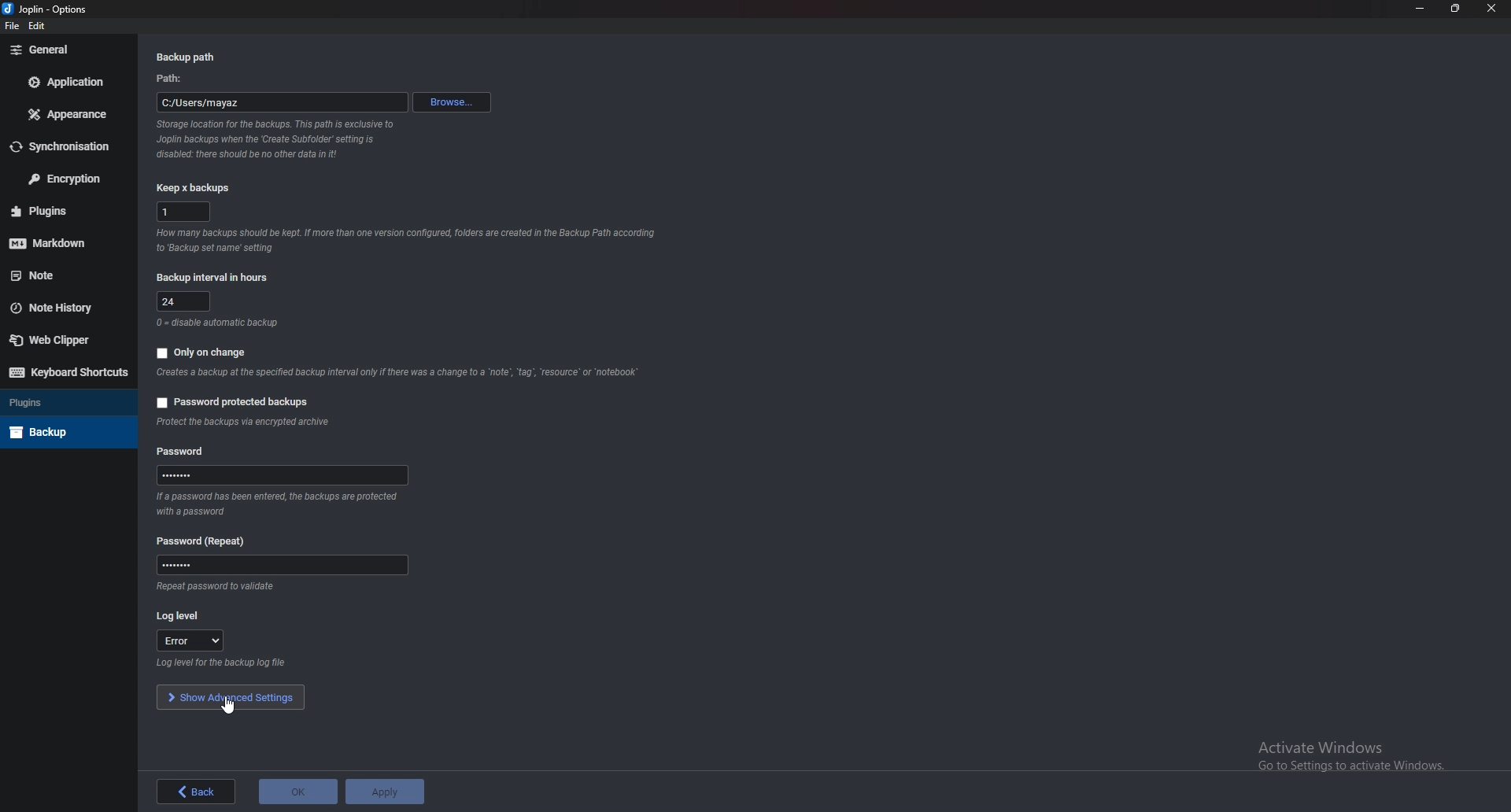 This screenshot has height=812, width=1511. Describe the element at coordinates (65, 178) in the screenshot. I see `Encryption` at that location.